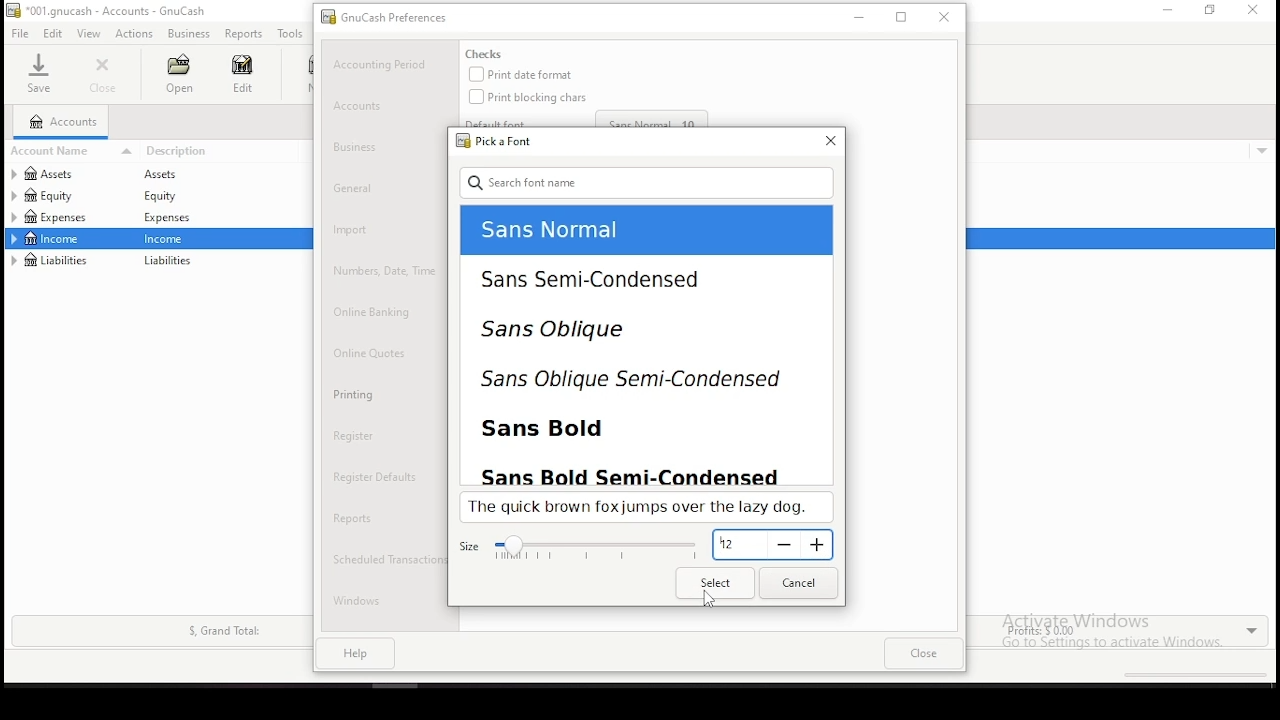 Image resolution: width=1280 pixels, height=720 pixels. I want to click on edits, so click(54, 33).